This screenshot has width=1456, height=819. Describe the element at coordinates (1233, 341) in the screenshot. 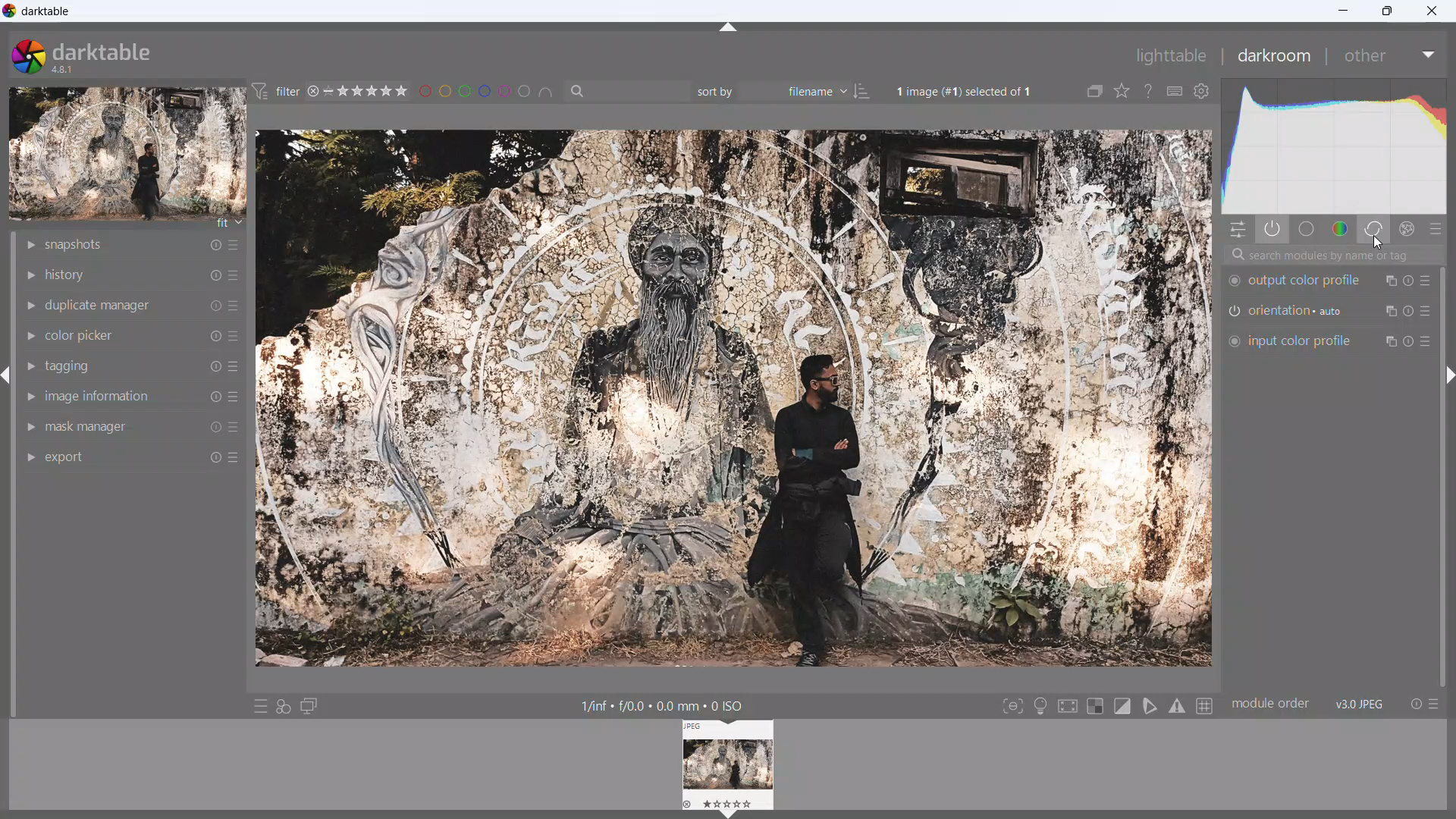

I see `switch on/of` at that location.